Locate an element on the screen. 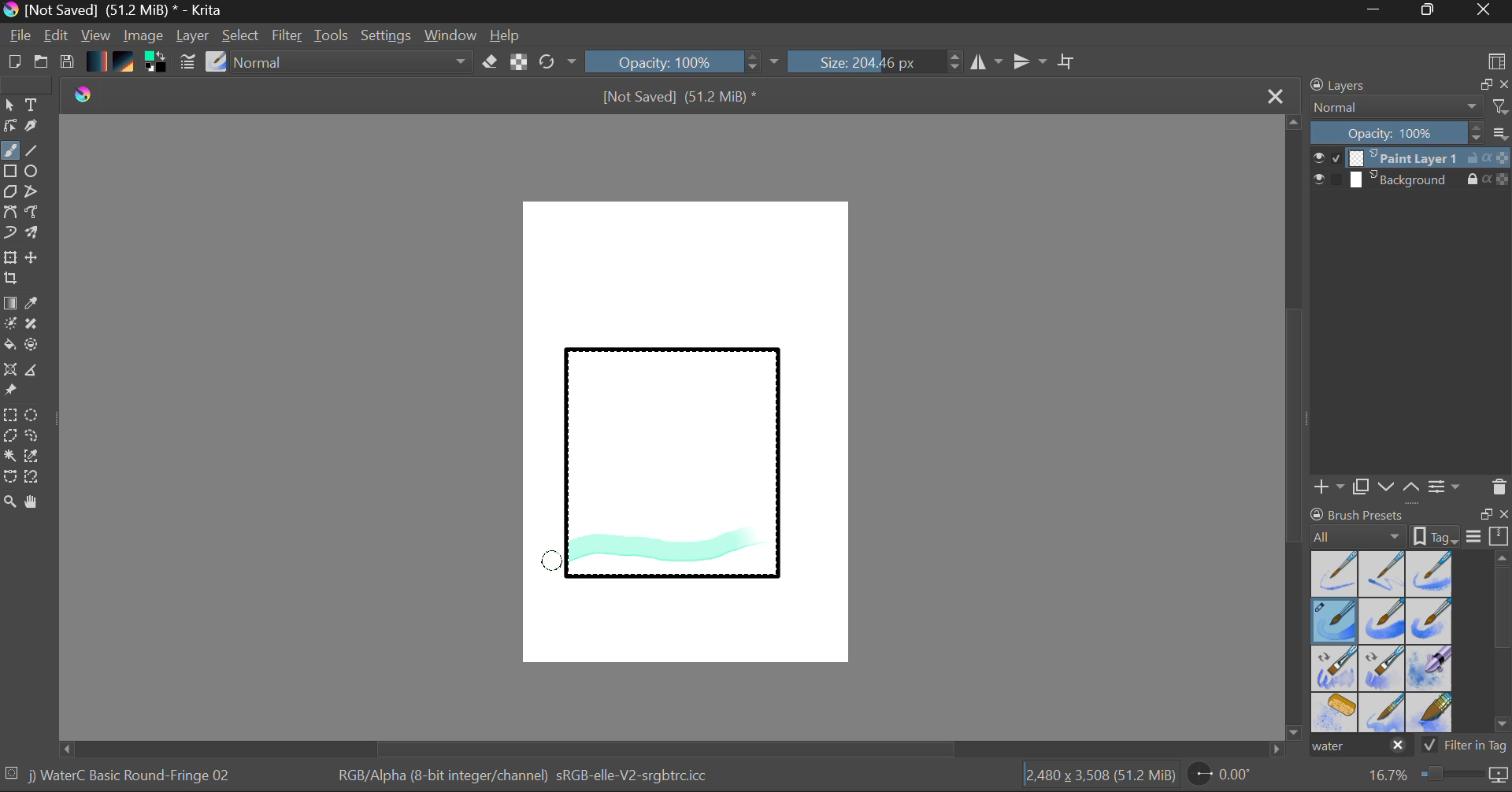 This screenshot has width=1512, height=792. Move Layer is located at coordinates (33, 257).